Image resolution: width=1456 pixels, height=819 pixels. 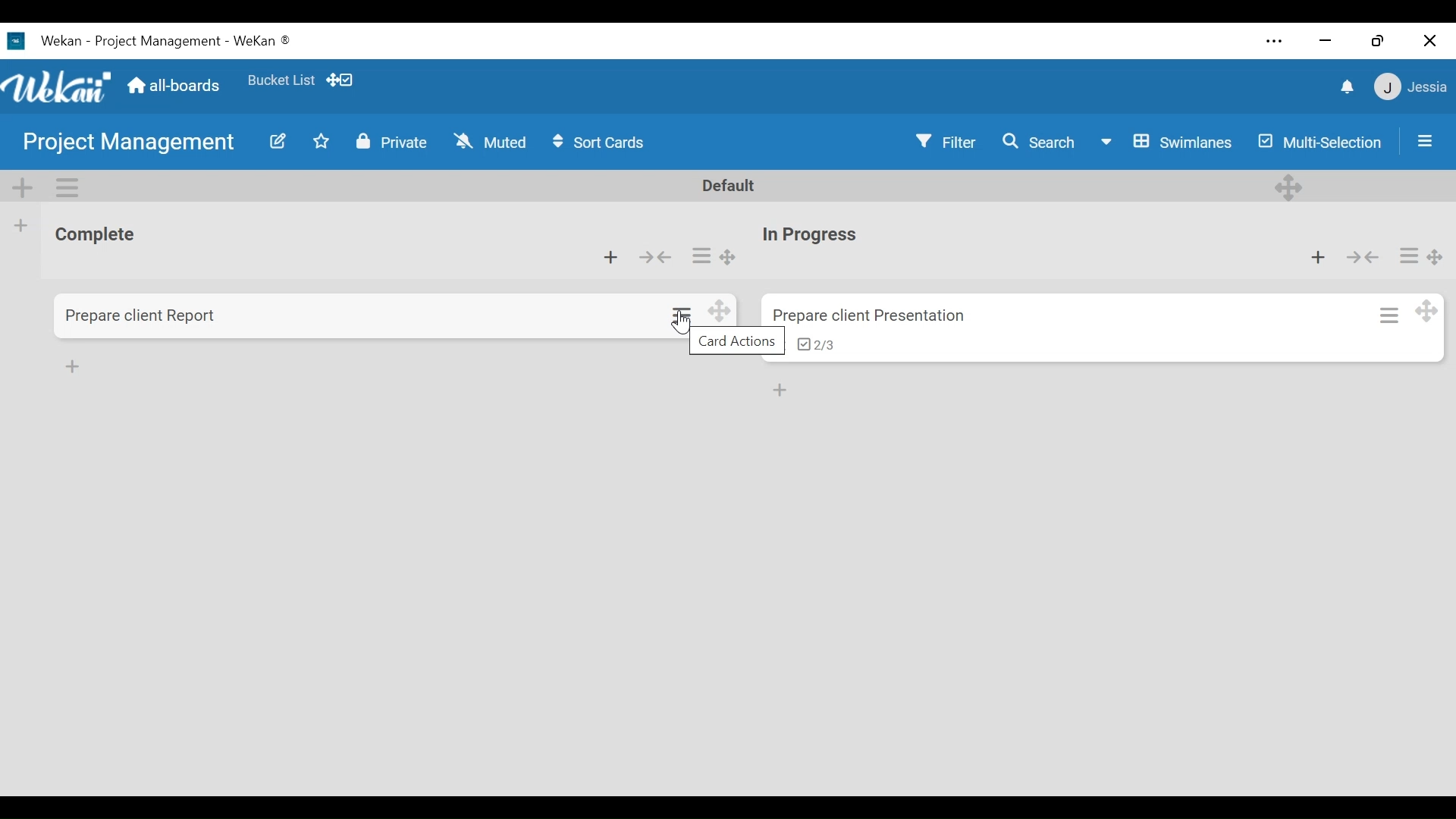 I want to click on Go to Home View (all-boards), so click(x=171, y=86).